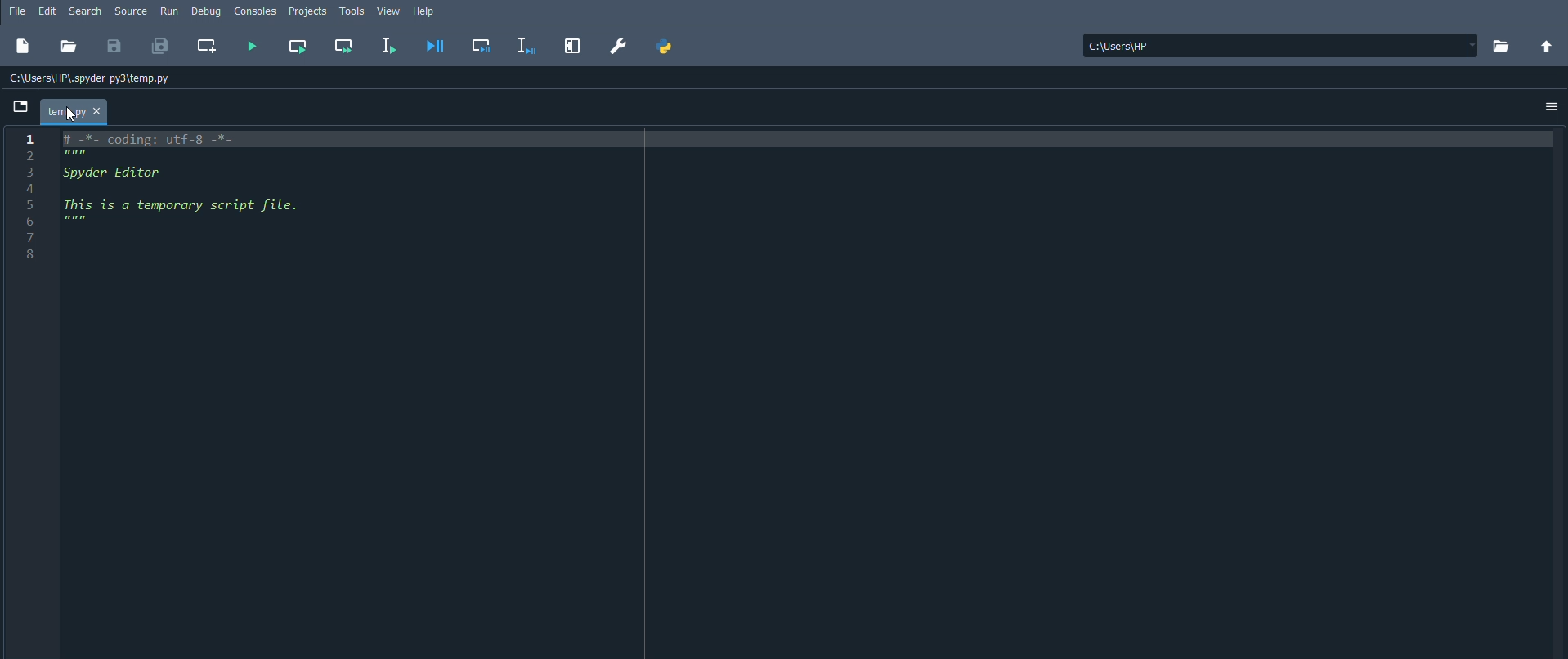  What do you see at coordinates (32, 204) in the screenshot?
I see `number line` at bounding box center [32, 204].